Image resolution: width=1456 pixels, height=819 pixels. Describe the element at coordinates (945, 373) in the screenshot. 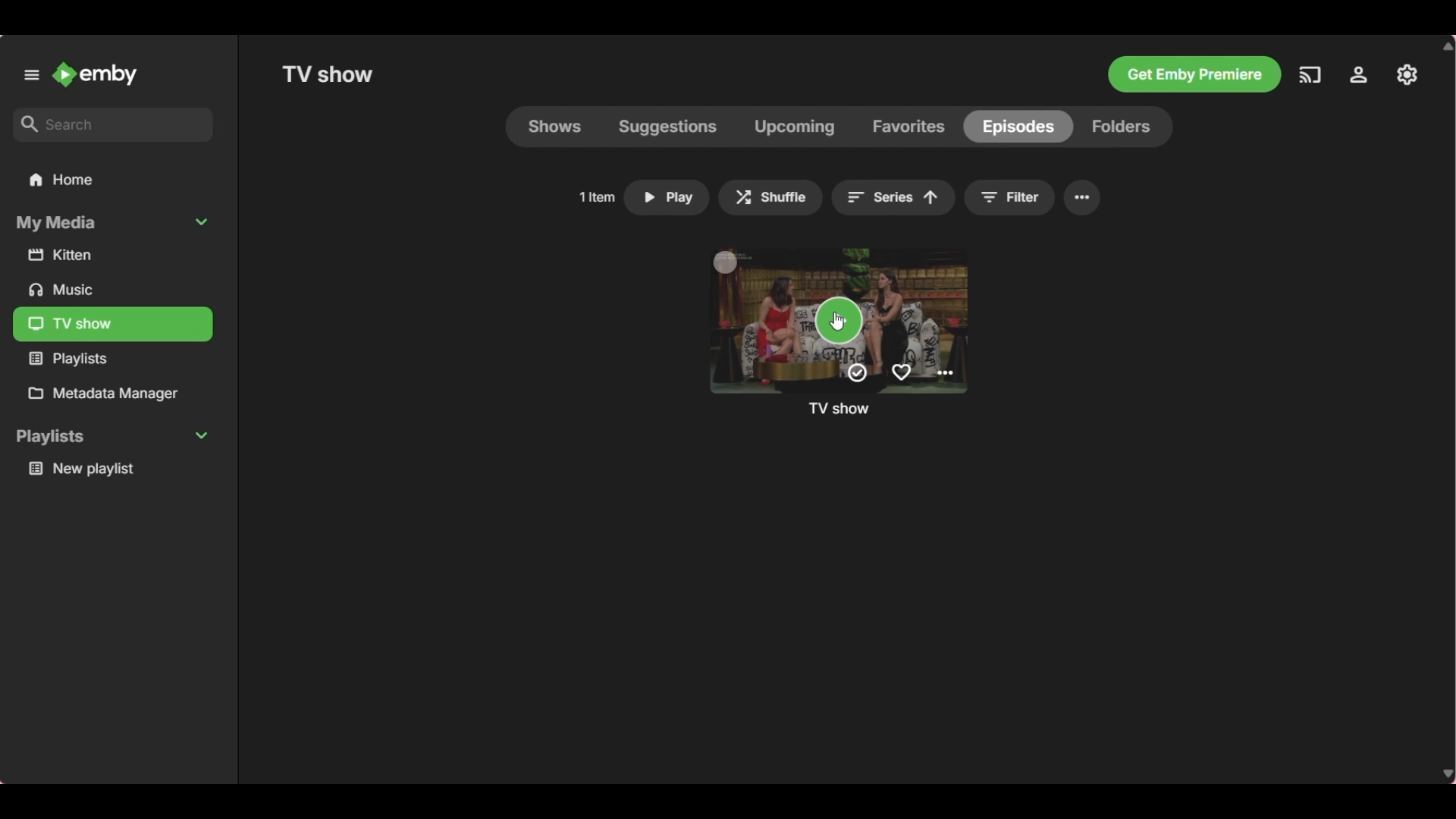

I see `More settings` at that location.